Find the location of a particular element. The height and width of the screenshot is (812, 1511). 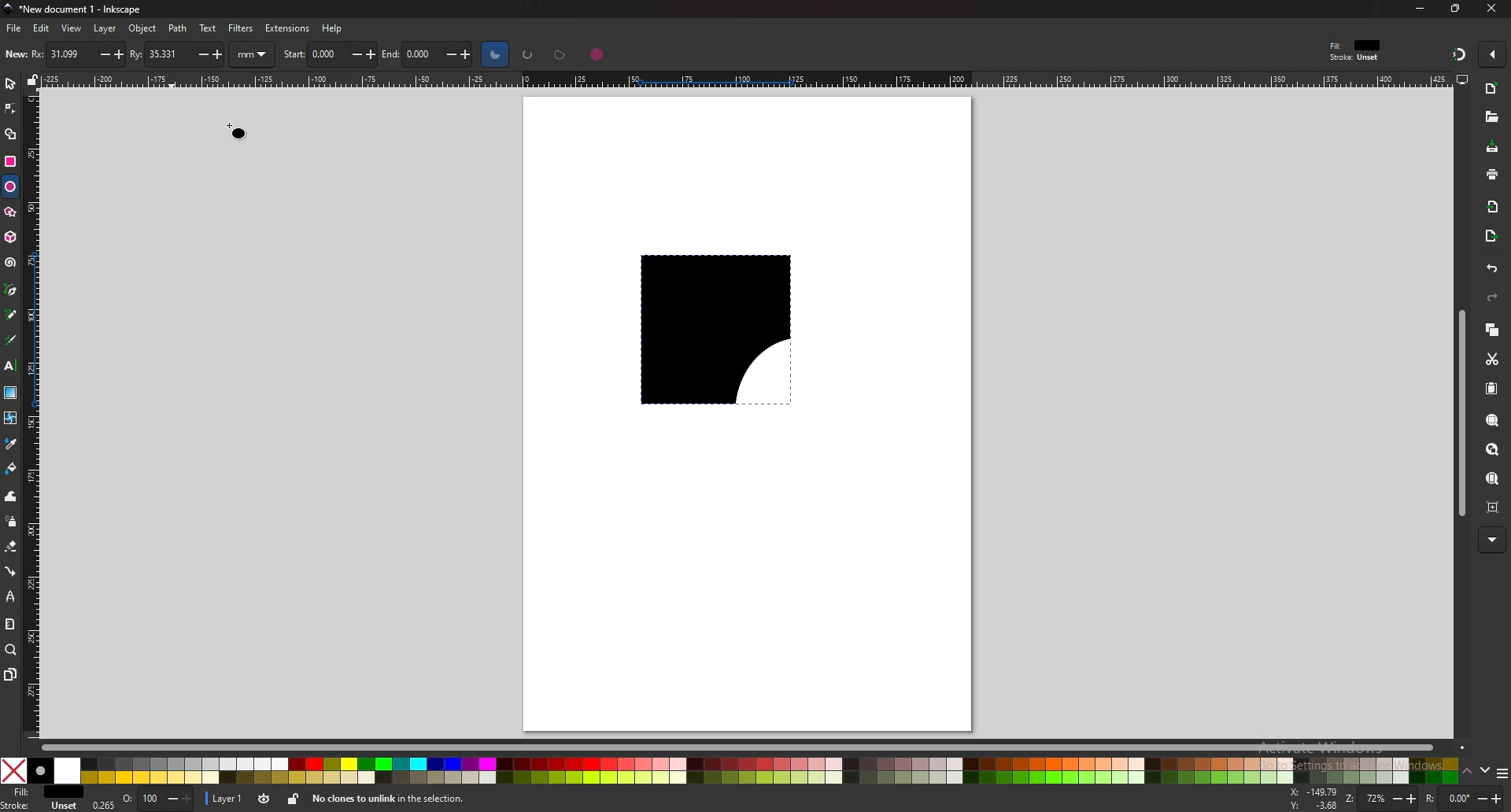

redo is located at coordinates (1492, 297).